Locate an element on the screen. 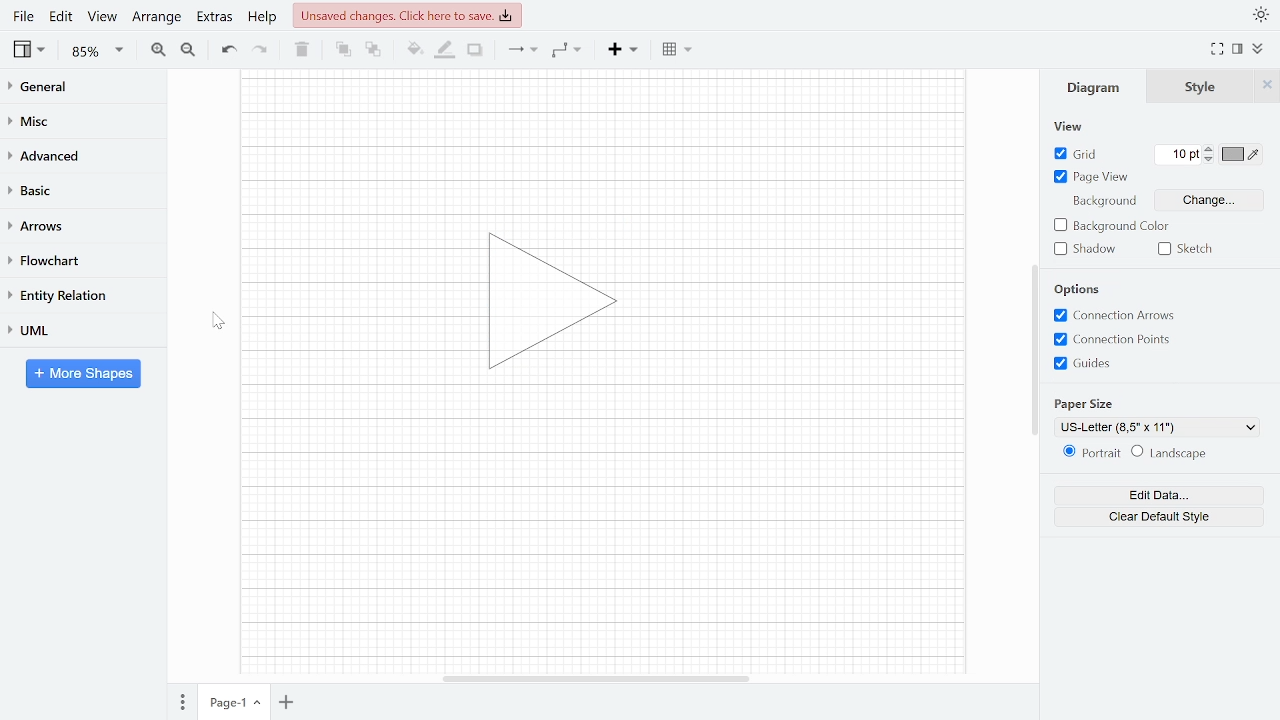 The width and height of the screenshot is (1280, 720). View is located at coordinates (1065, 124).